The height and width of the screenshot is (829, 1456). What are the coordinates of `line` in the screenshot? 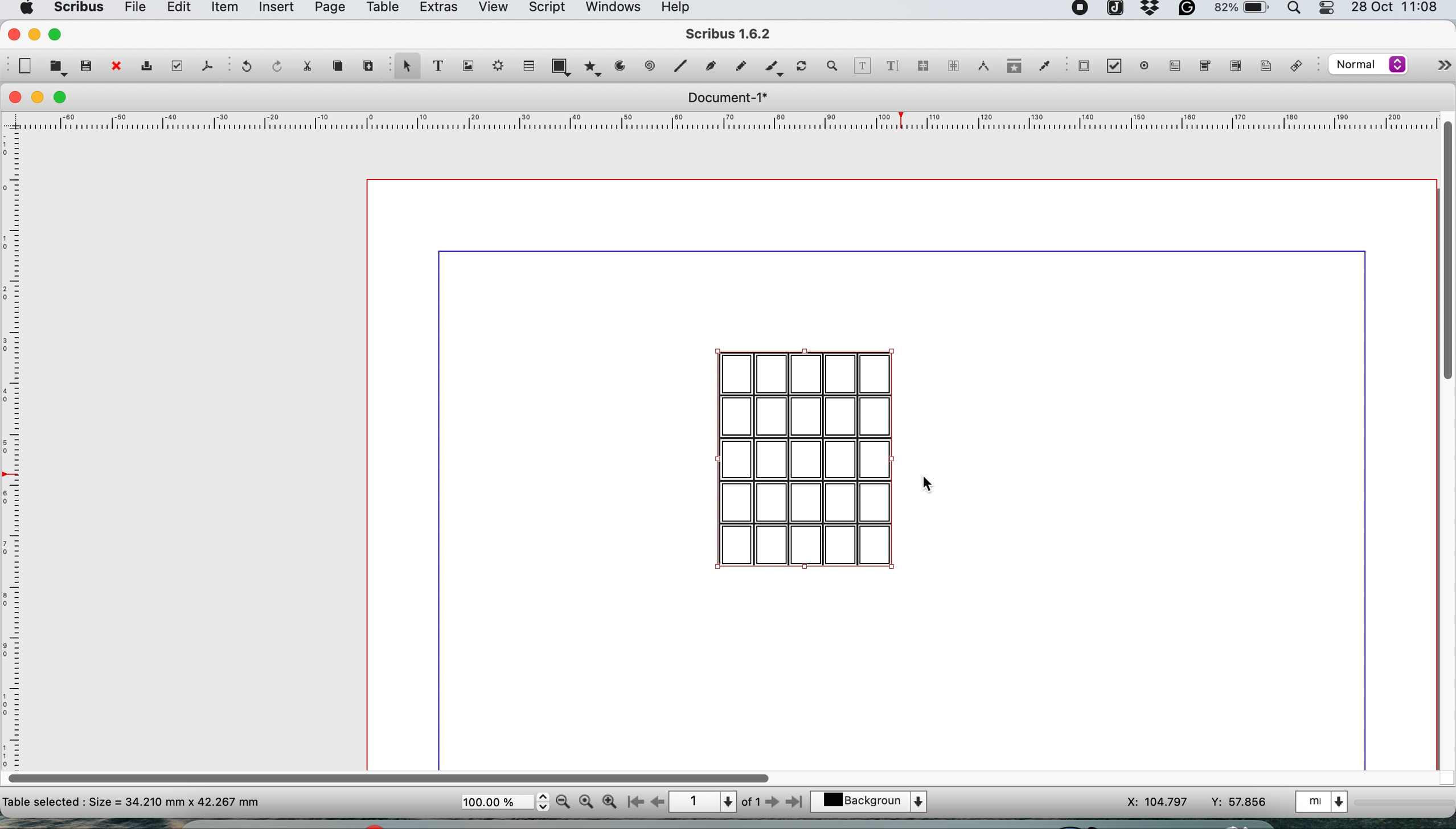 It's located at (679, 65).